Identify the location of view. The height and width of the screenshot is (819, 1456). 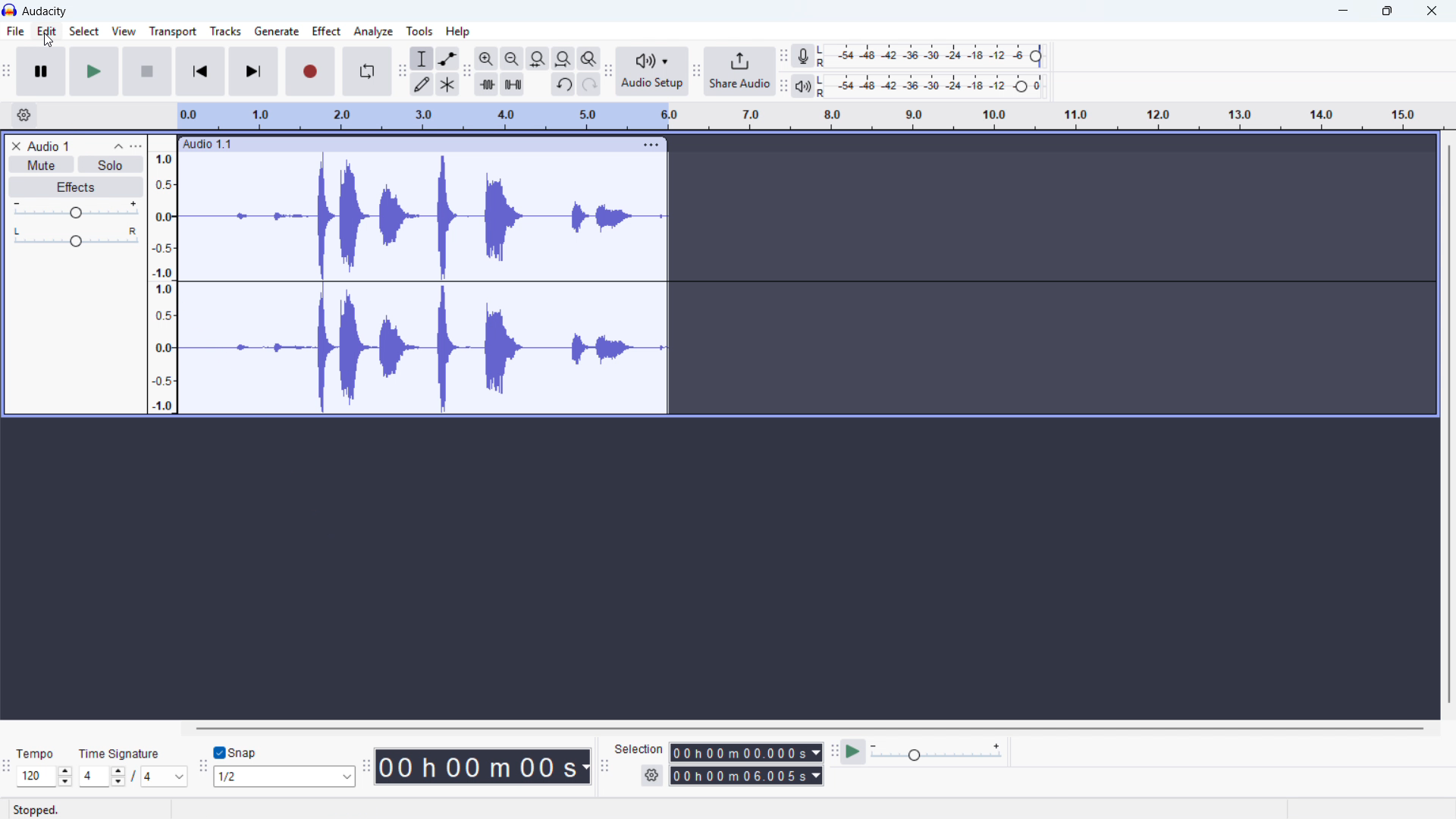
(124, 31).